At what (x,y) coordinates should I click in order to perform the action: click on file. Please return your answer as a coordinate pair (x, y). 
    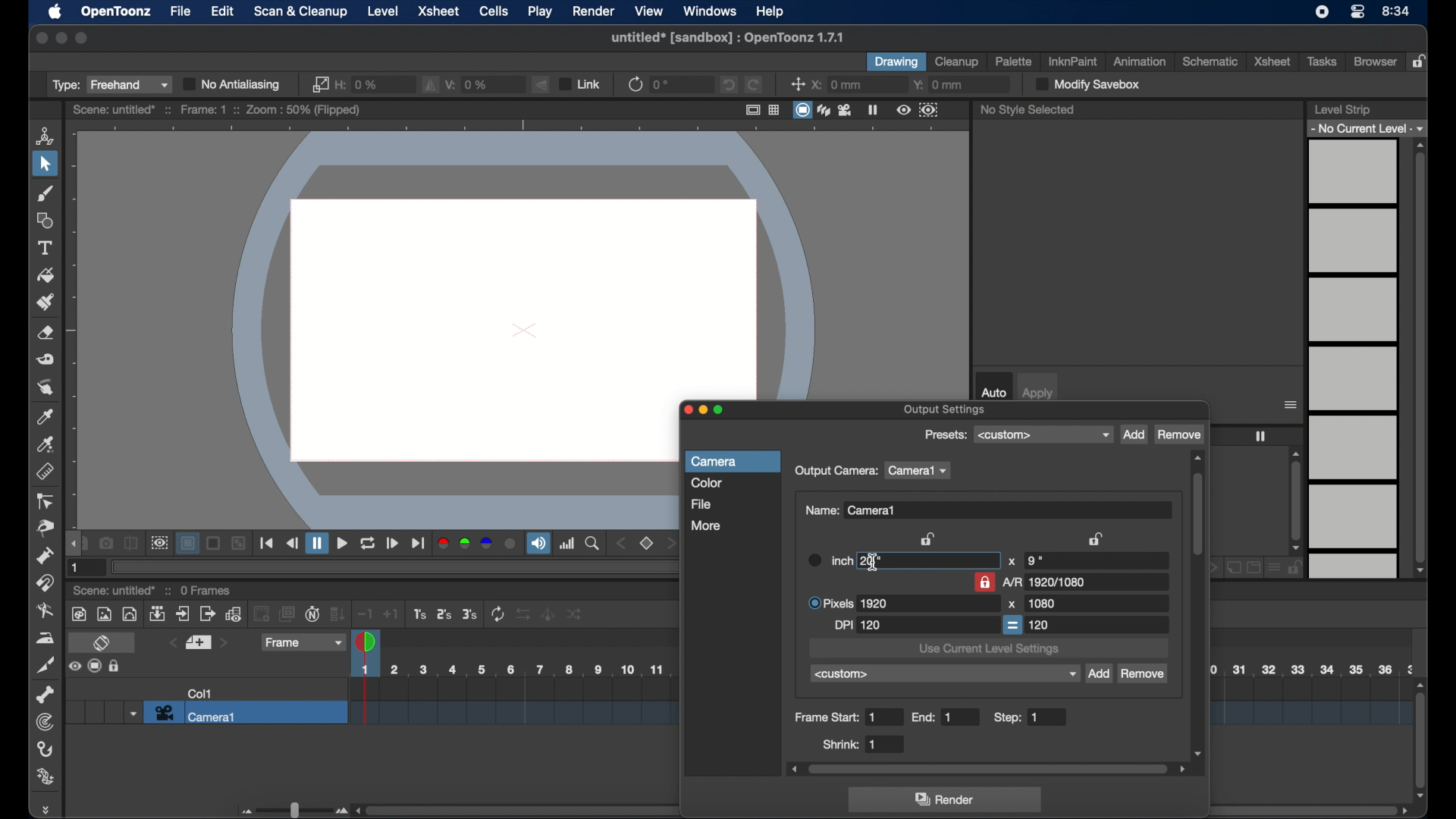
    Looking at the image, I should click on (701, 504).